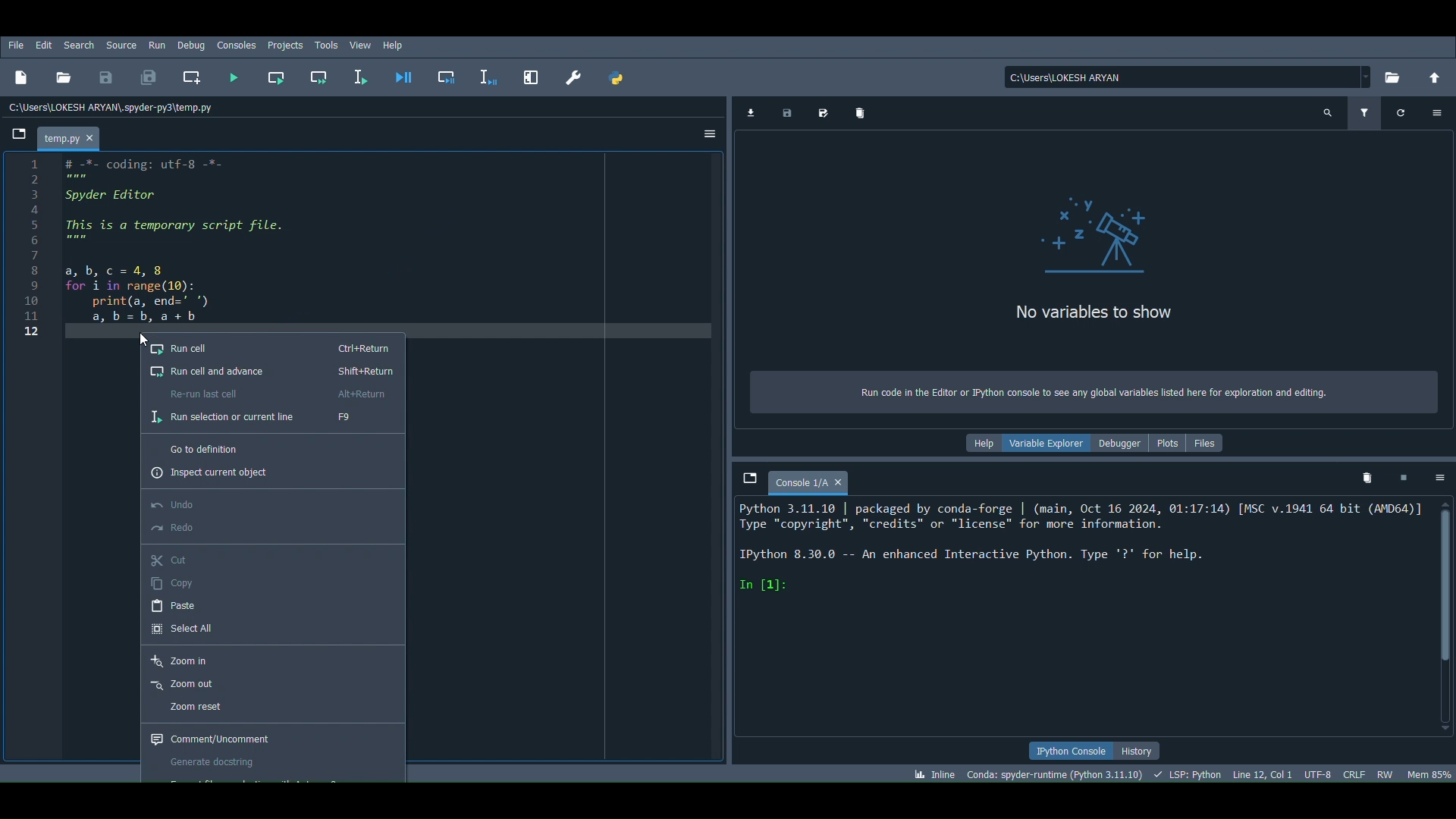  Describe the element at coordinates (492, 74) in the screenshot. I see `Debug selection or current line` at that location.